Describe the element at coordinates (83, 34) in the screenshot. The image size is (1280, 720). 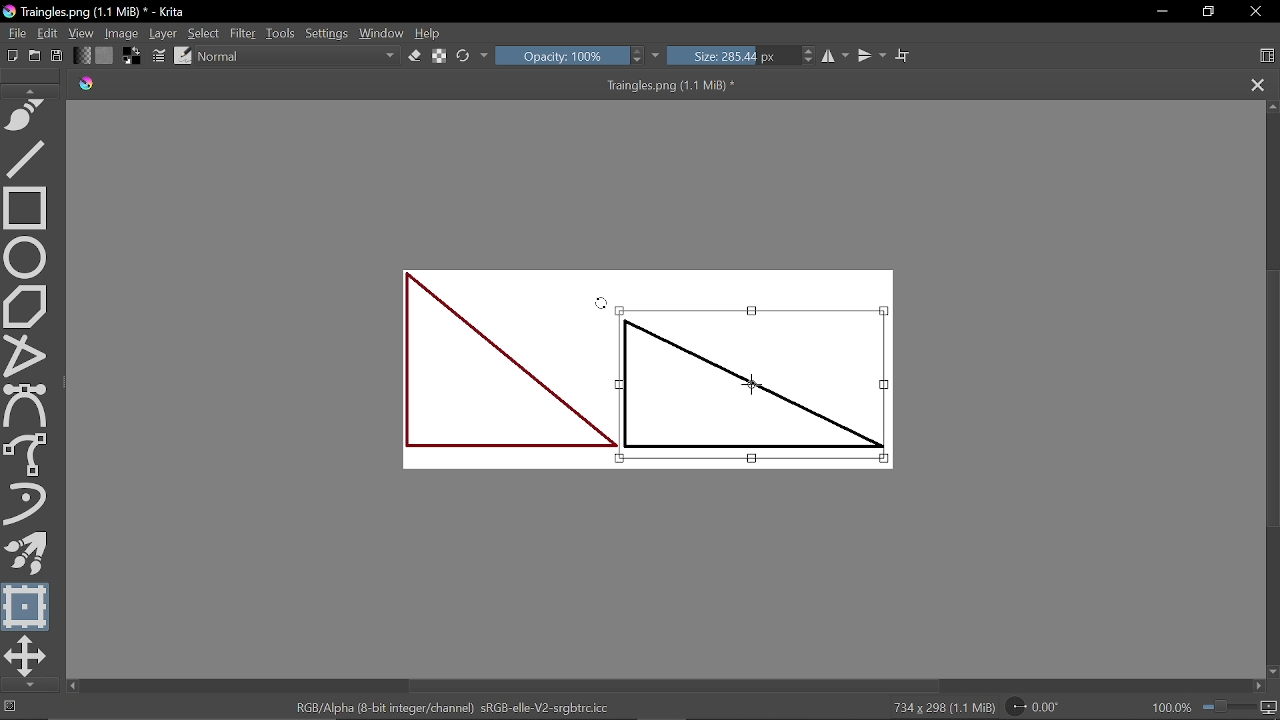
I see `View` at that location.